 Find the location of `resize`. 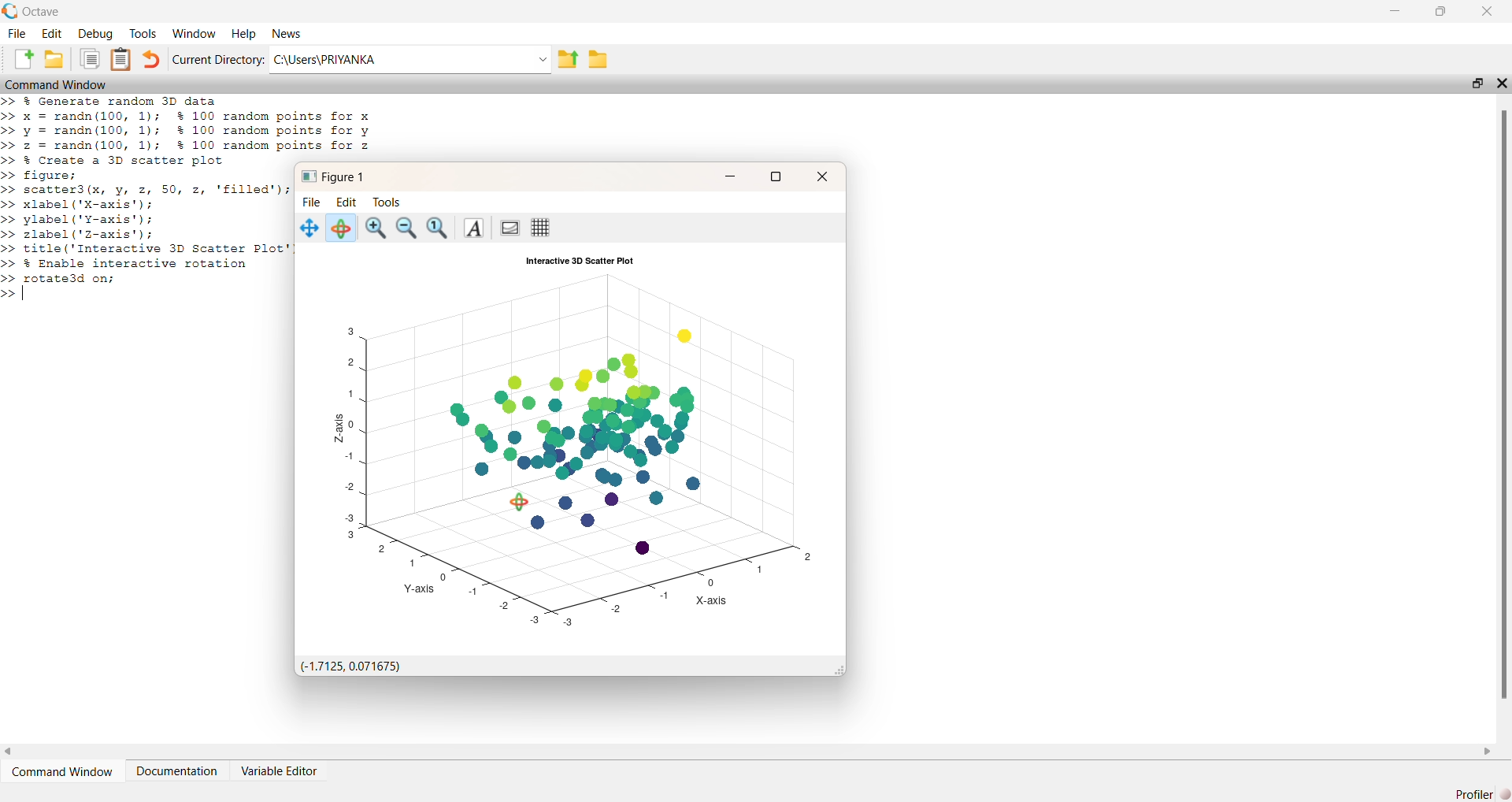

resize is located at coordinates (1477, 83).